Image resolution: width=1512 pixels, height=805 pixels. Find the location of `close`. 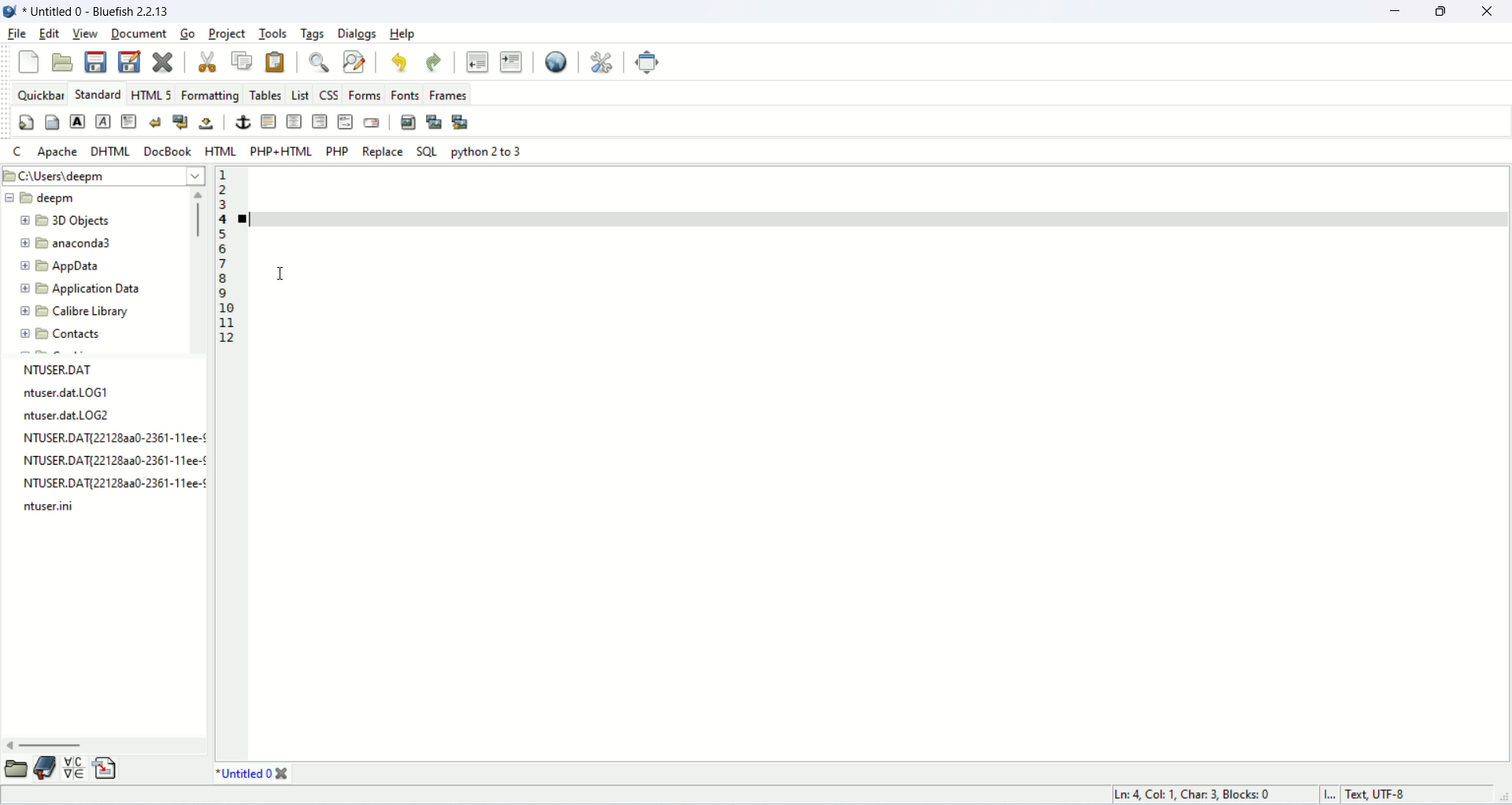

close is located at coordinates (1488, 11).